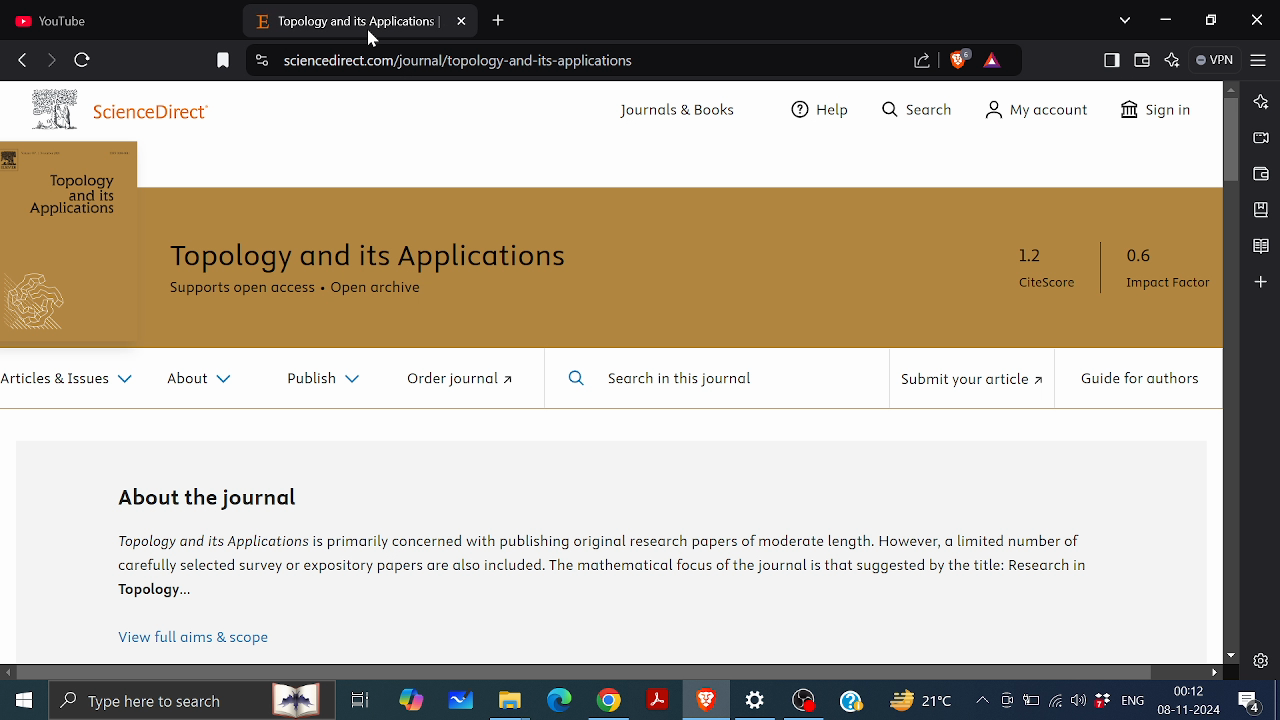 The image size is (1280, 720). What do you see at coordinates (9, 673) in the screenshot?
I see `Move left` at bounding box center [9, 673].